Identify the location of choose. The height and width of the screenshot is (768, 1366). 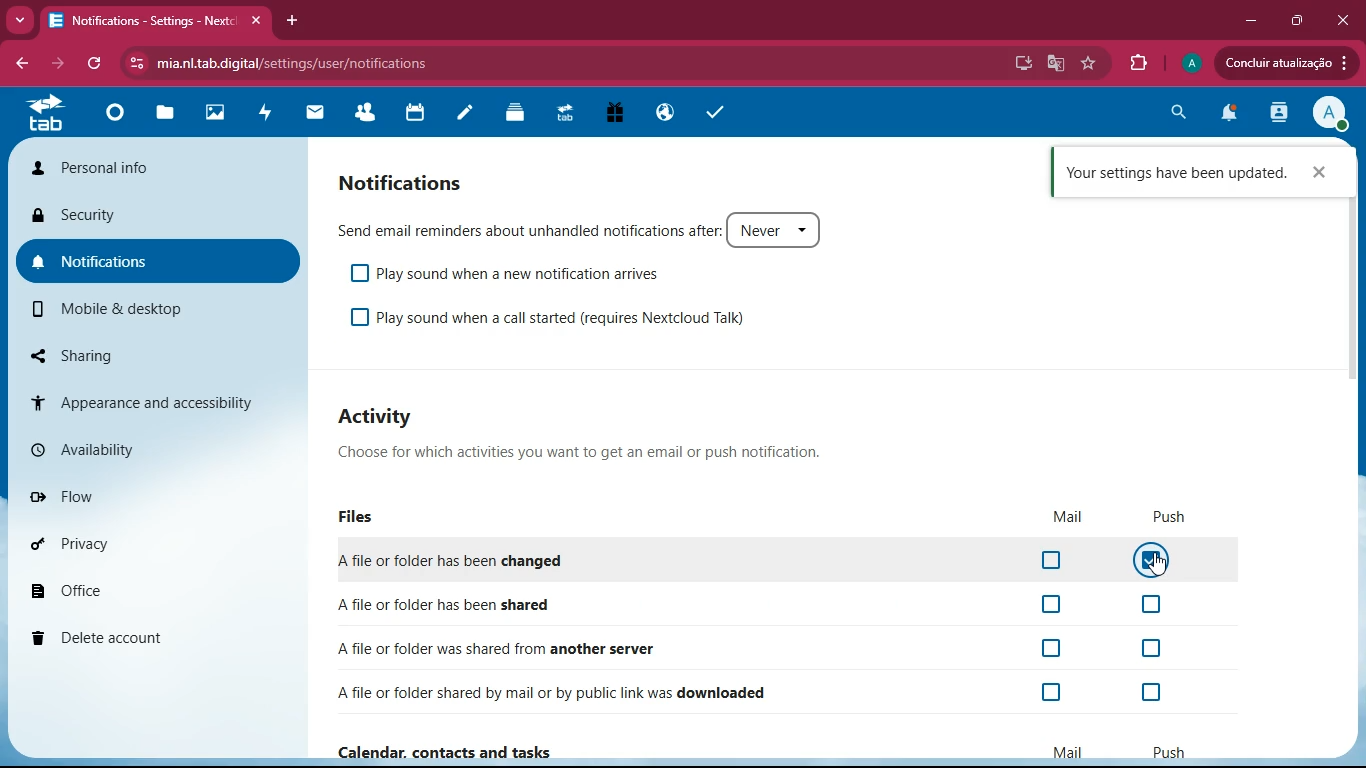
(575, 452).